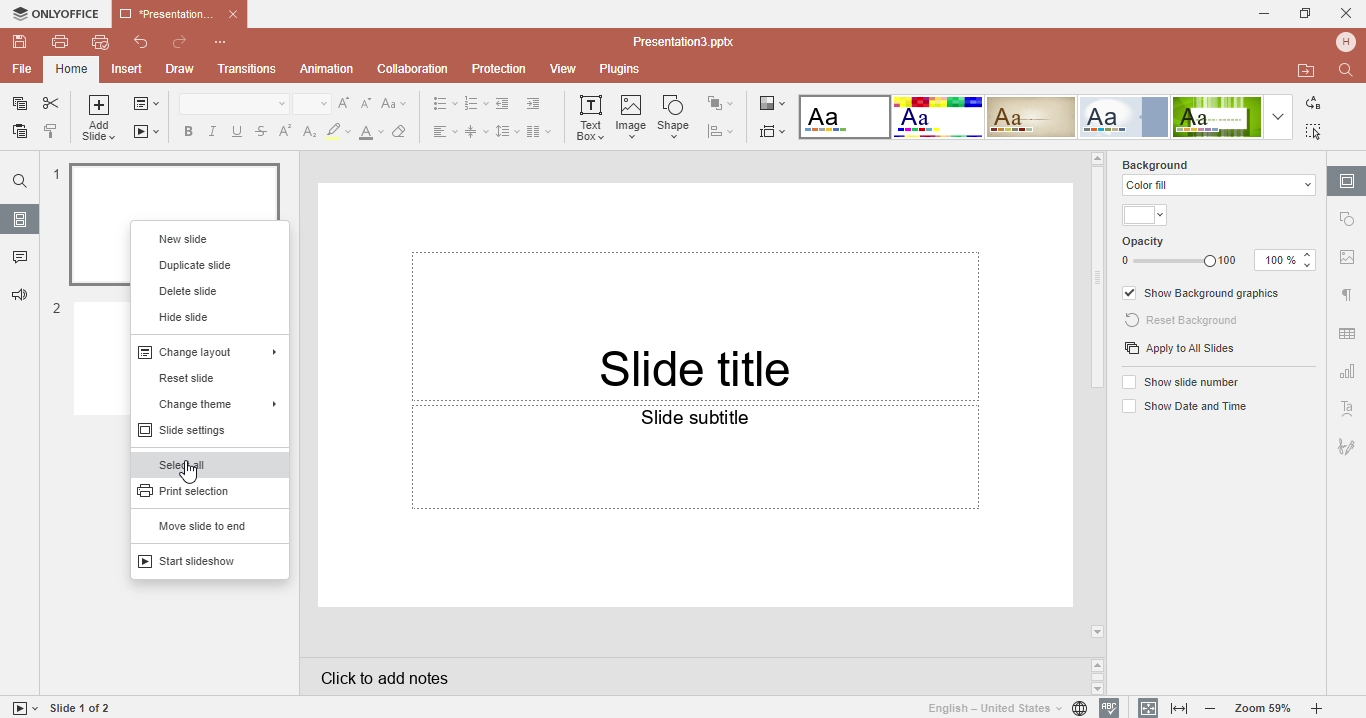 The height and width of the screenshot is (718, 1366). Describe the element at coordinates (1347, 261) in the screenshot. I see `Image settings` at that location.